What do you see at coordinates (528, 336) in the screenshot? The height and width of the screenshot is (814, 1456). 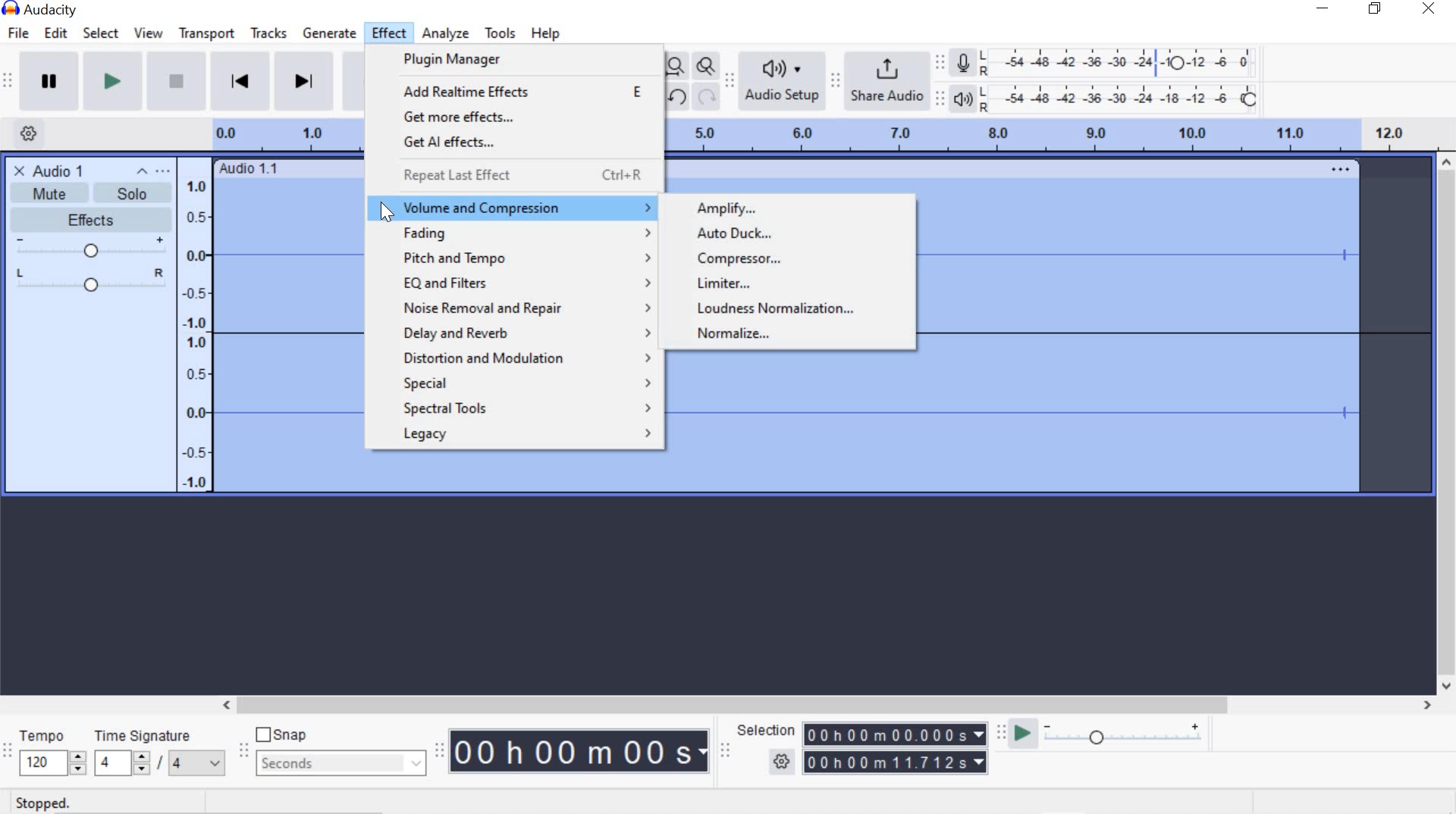 I see `delay and reverb` at bounding box center [528, 336].